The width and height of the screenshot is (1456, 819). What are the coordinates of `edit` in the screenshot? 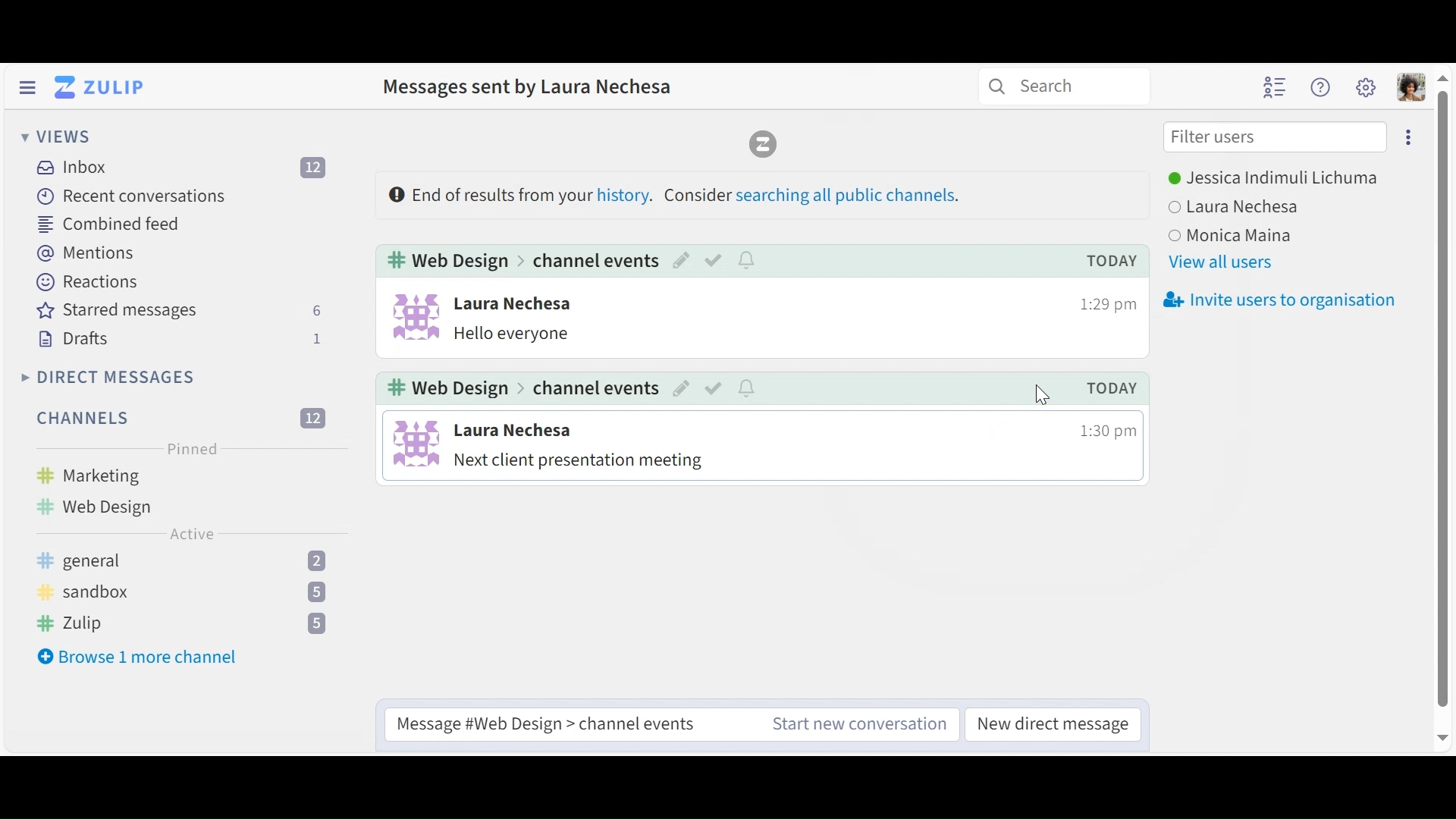 It's located at (682, 261).